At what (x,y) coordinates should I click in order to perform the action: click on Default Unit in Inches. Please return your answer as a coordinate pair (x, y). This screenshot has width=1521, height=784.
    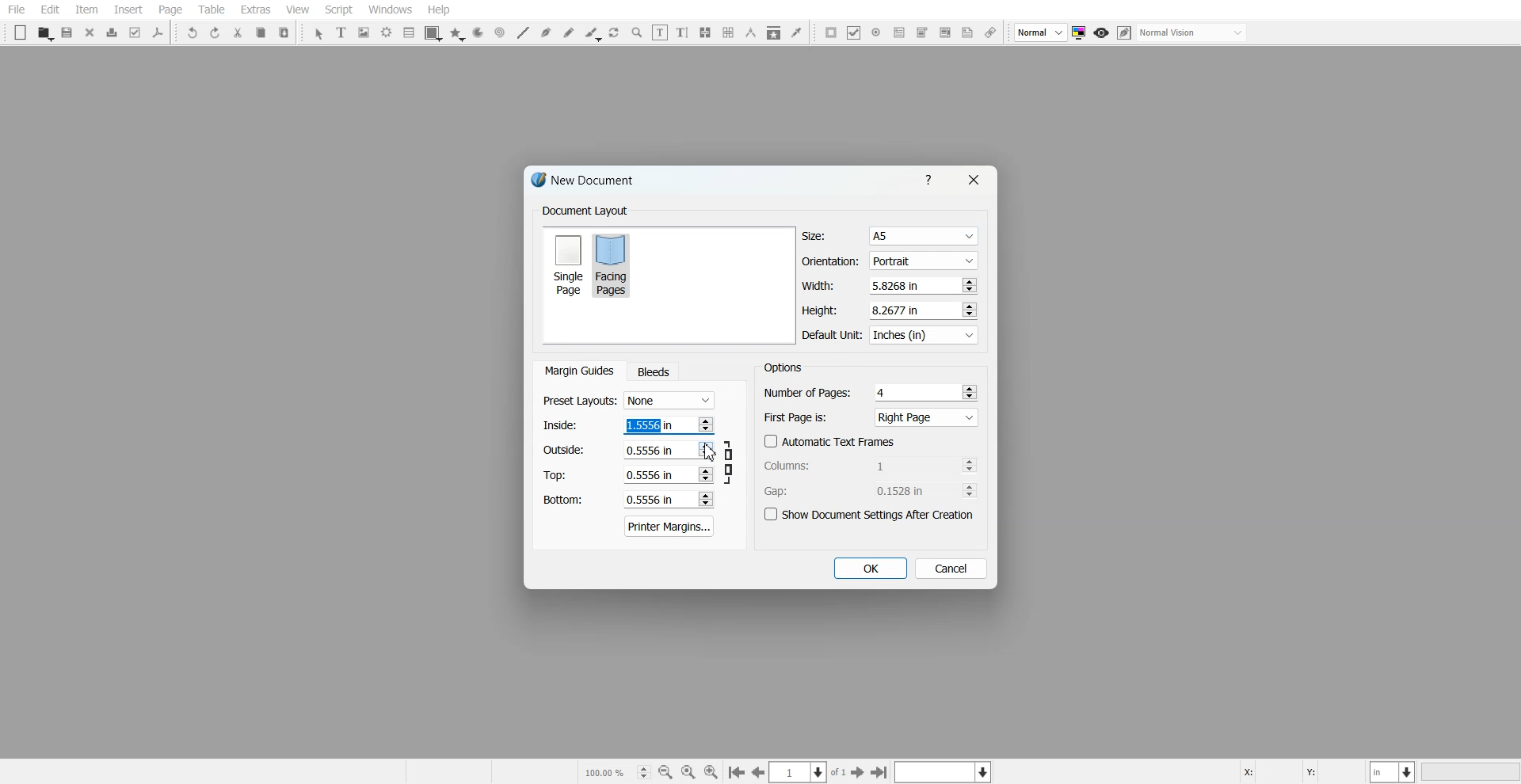
    Looking at the image, I should click on (891, 336).